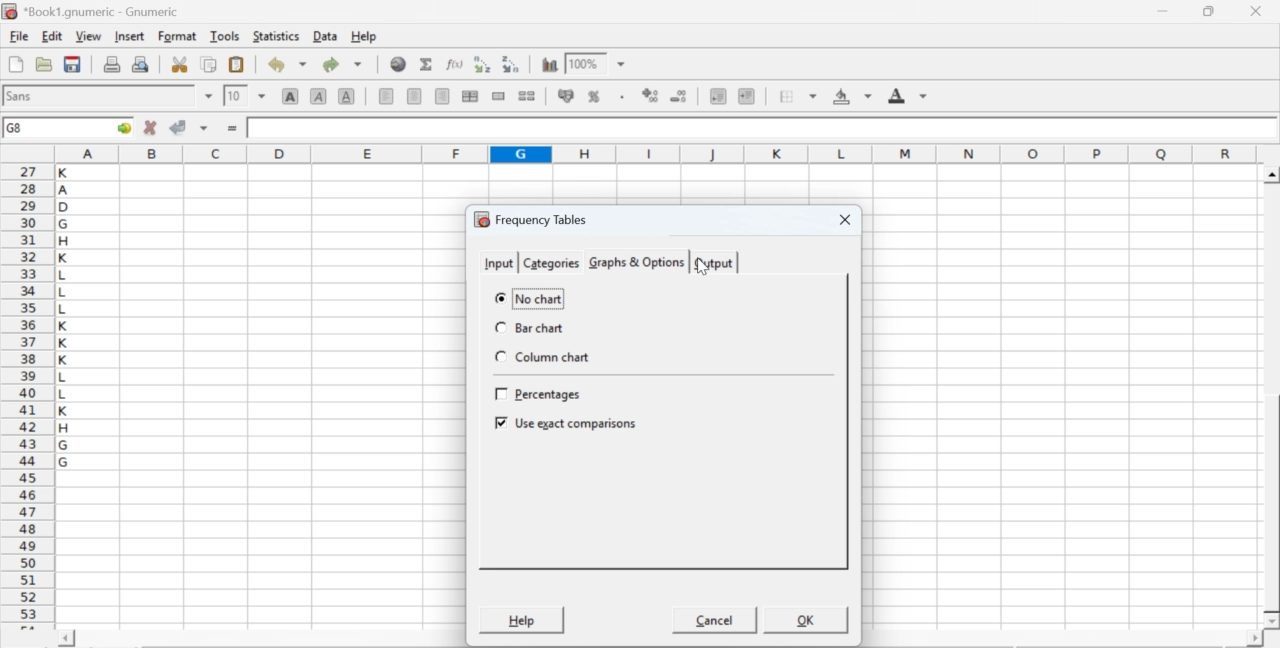 This screenshot has height=648, width=1280. I want to click on redo, so click(342, 64).